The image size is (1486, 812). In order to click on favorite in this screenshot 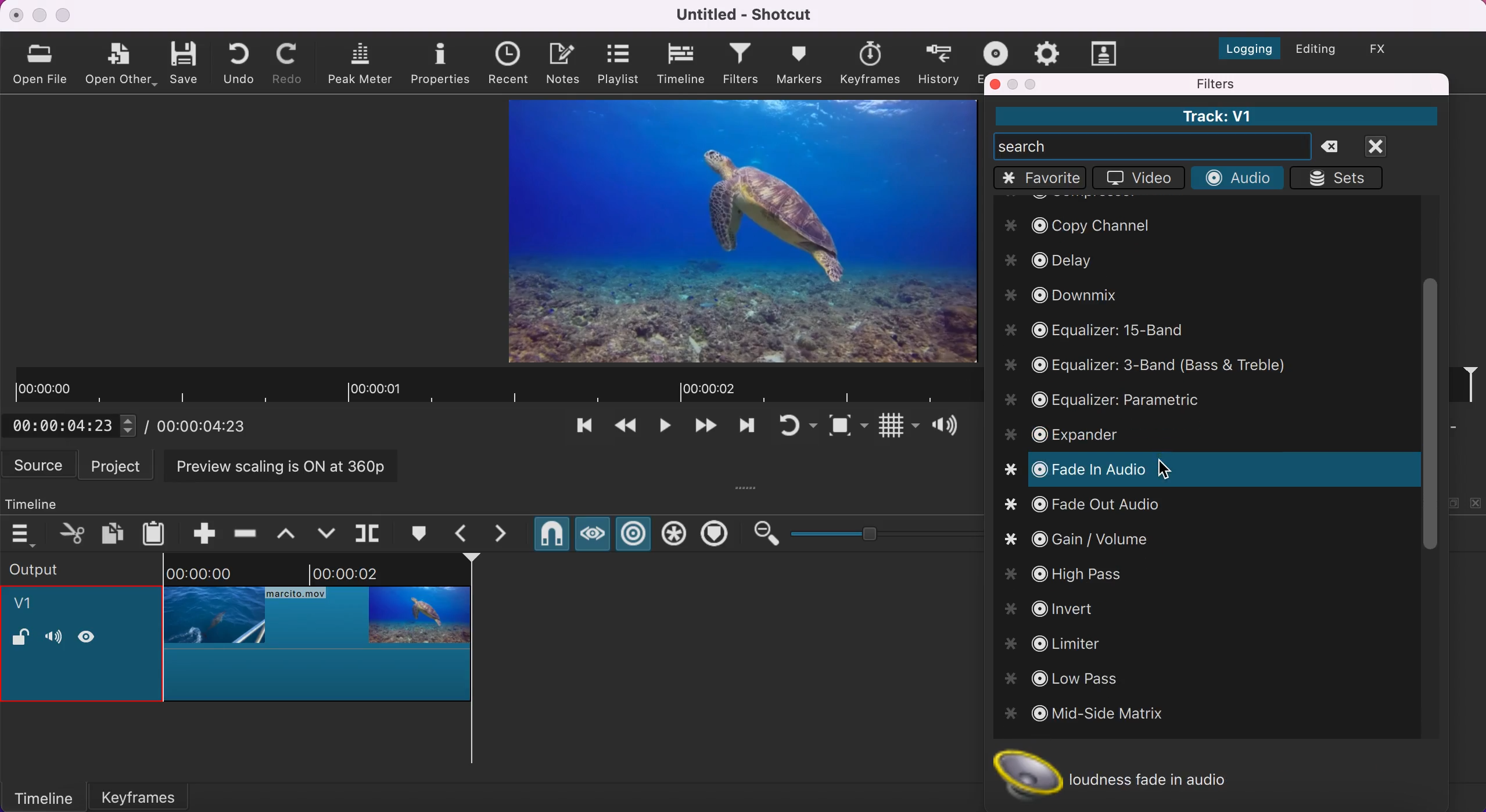, I will do `click(1040, 178)`.